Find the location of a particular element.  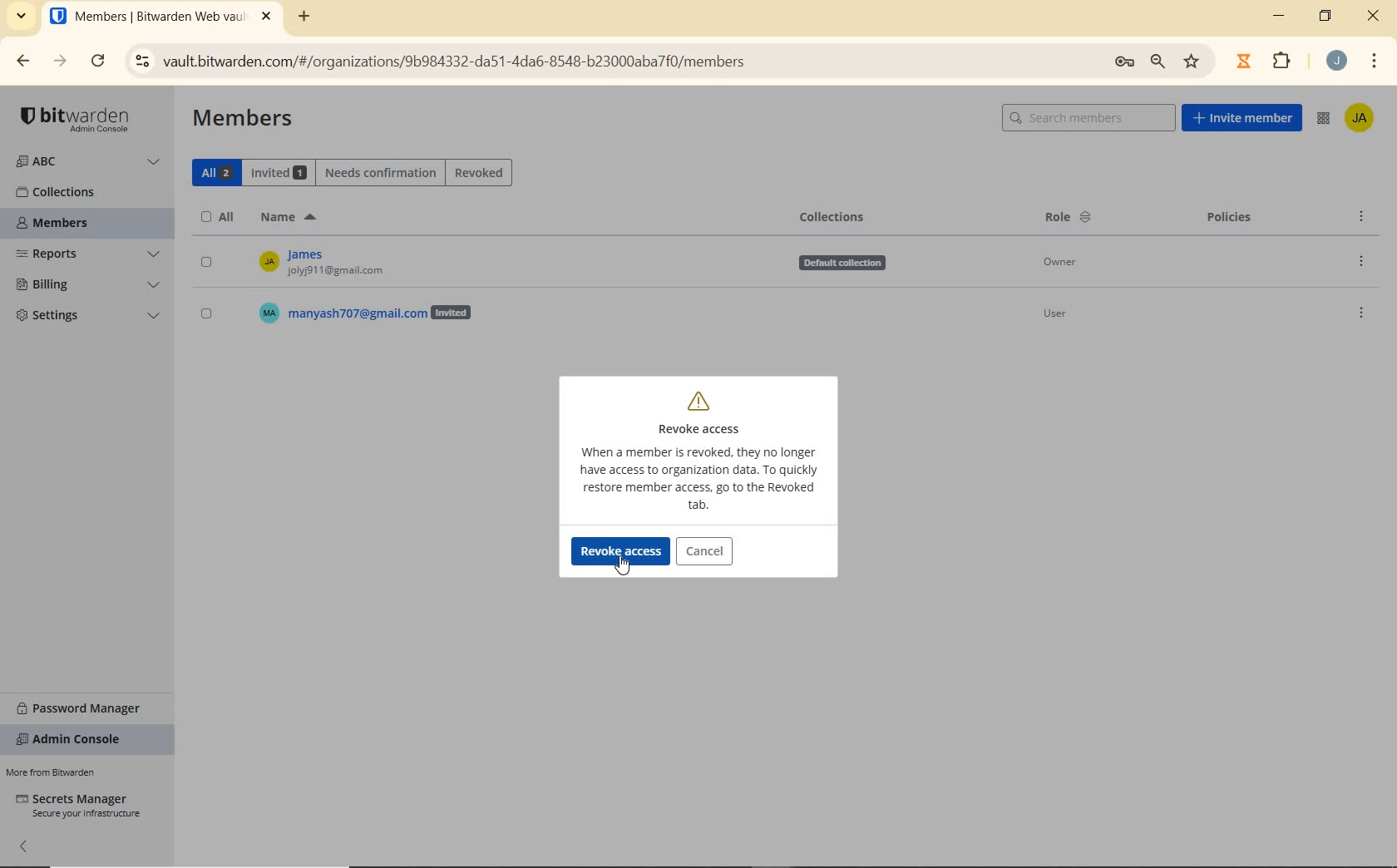

Defauit collection is located at coordinates (835, 264).